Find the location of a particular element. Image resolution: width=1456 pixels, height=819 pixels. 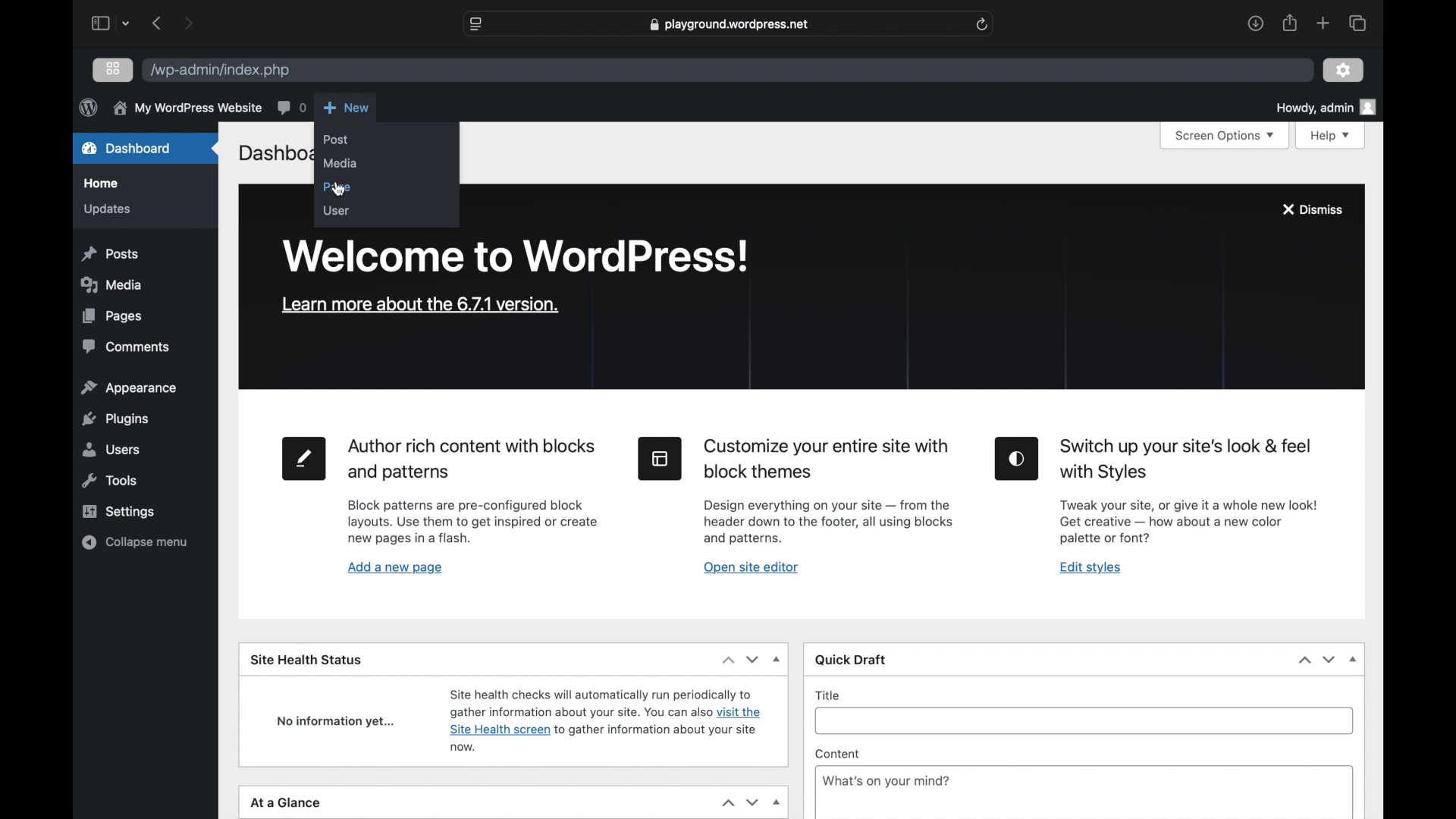

updates is located at coordinates (108, 210).